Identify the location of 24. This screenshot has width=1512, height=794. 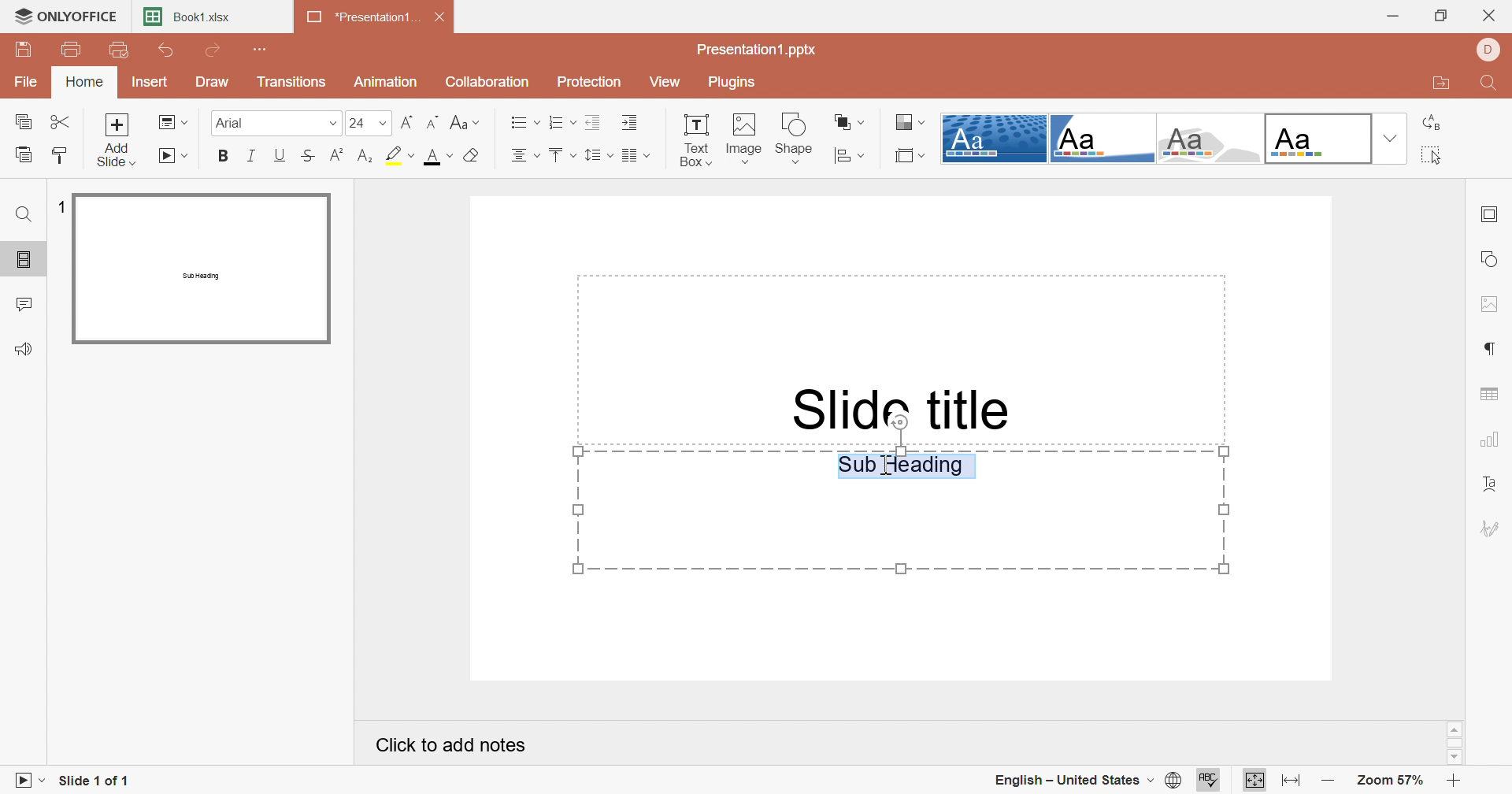
(368, 122).